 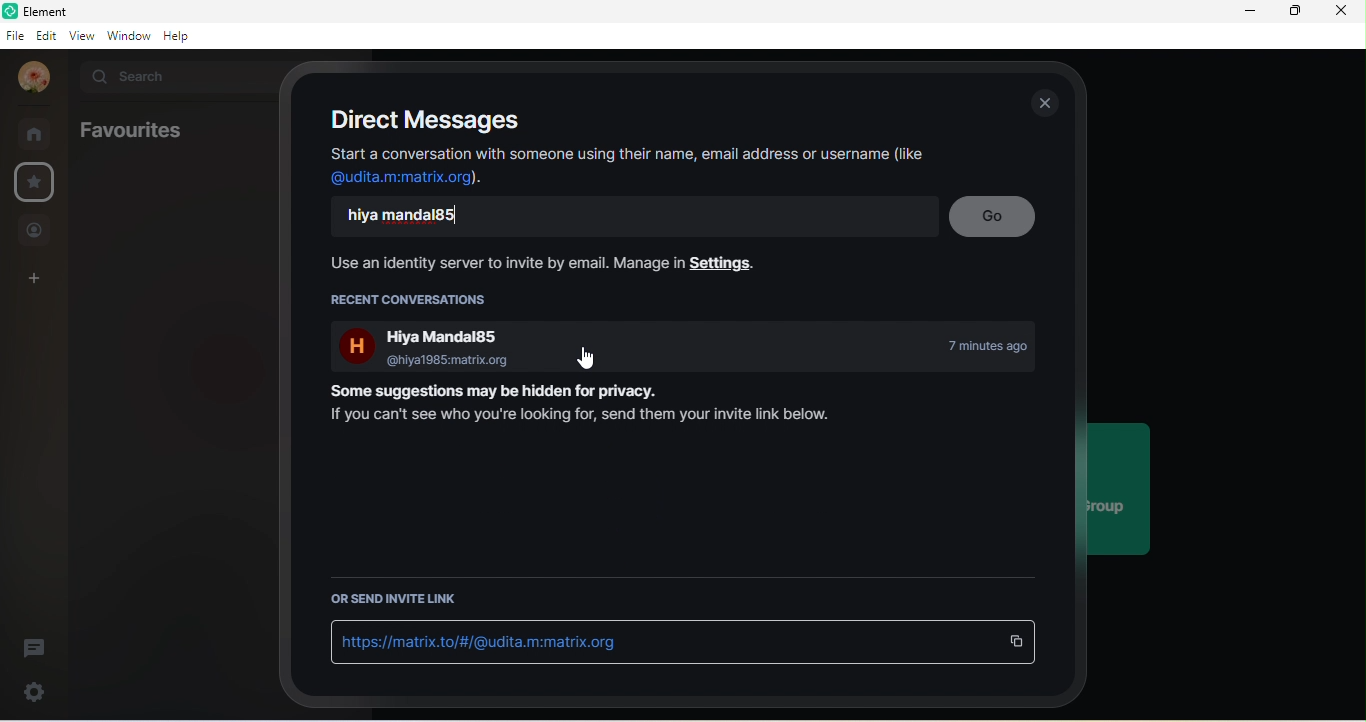 I want to click on thread, so click(x=35, y=648).